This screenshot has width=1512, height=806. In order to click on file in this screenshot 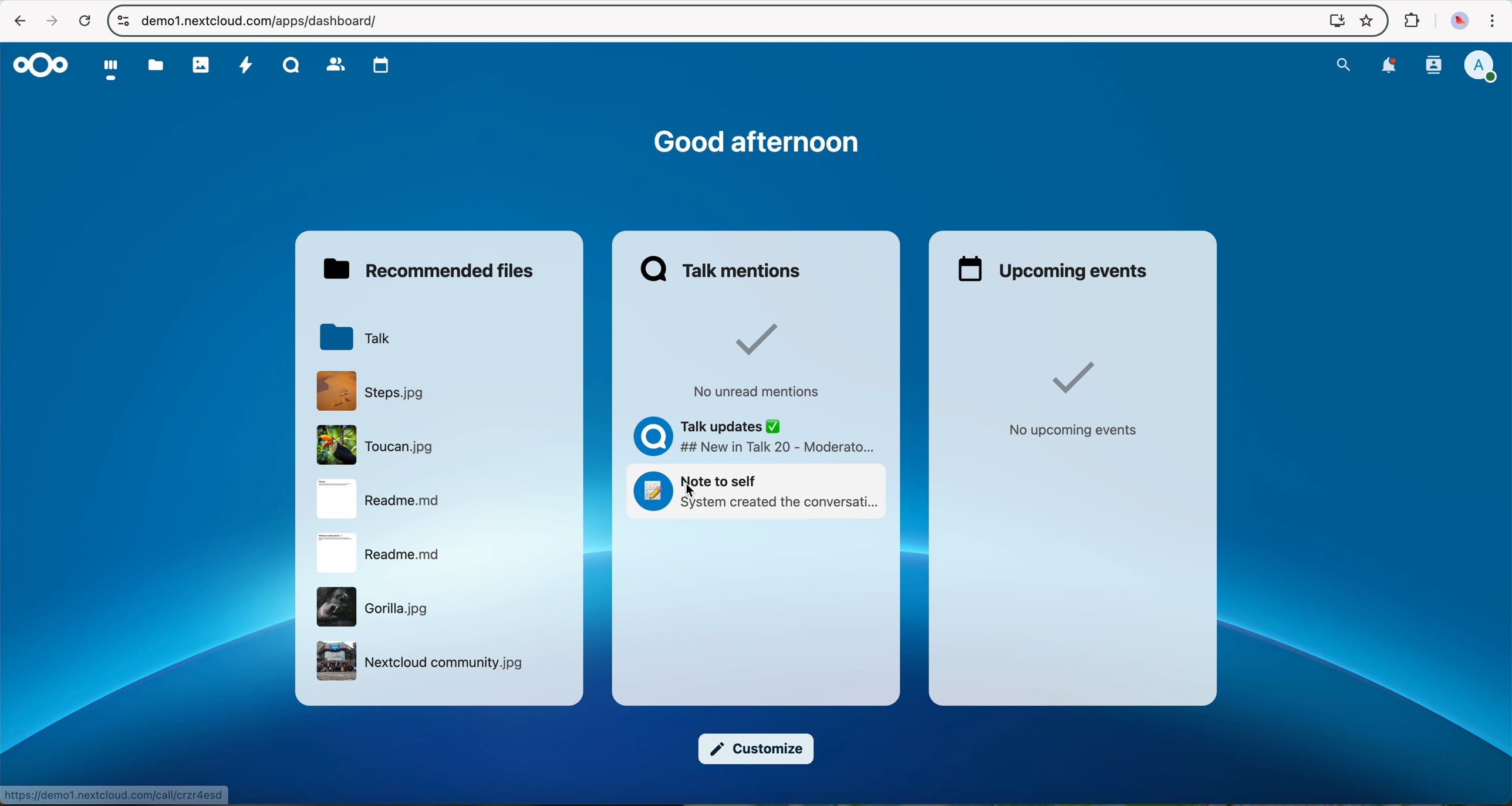, I will do `click(423, 661)`.